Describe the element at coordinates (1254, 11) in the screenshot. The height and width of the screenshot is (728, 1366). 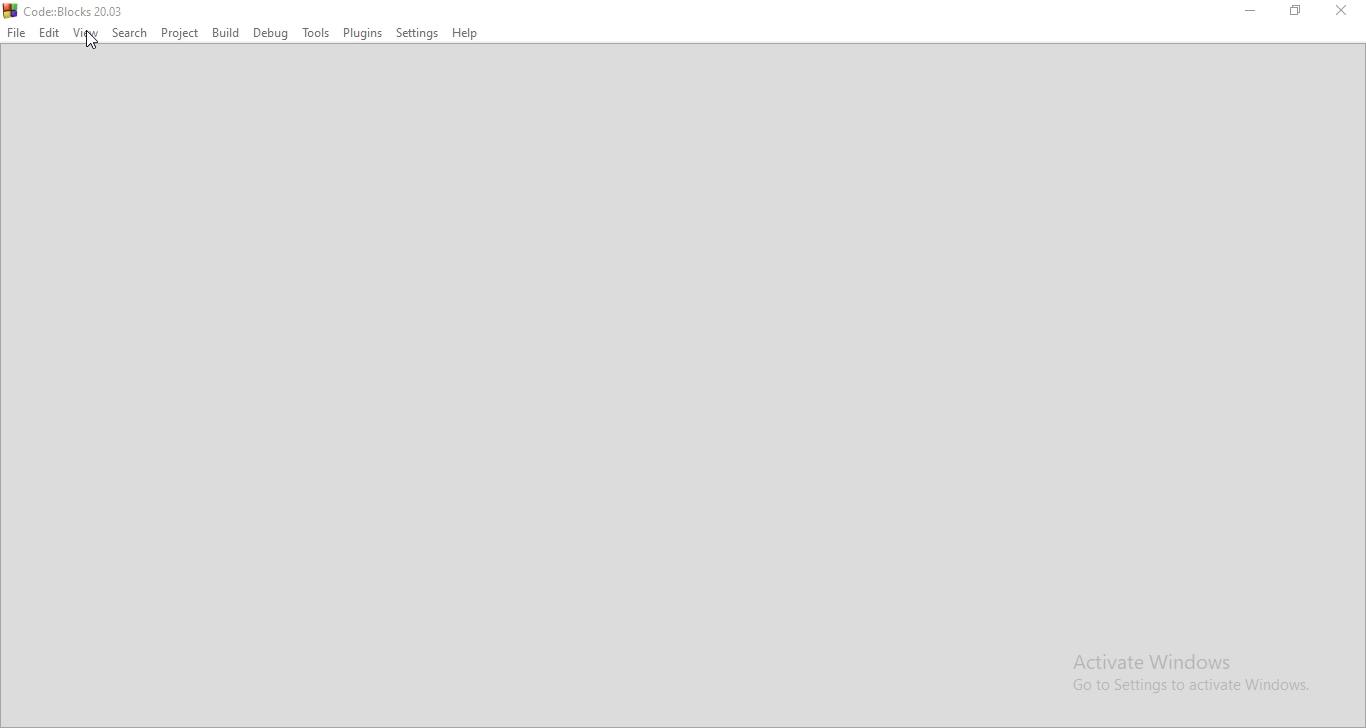
I see `Minimise` at that location.